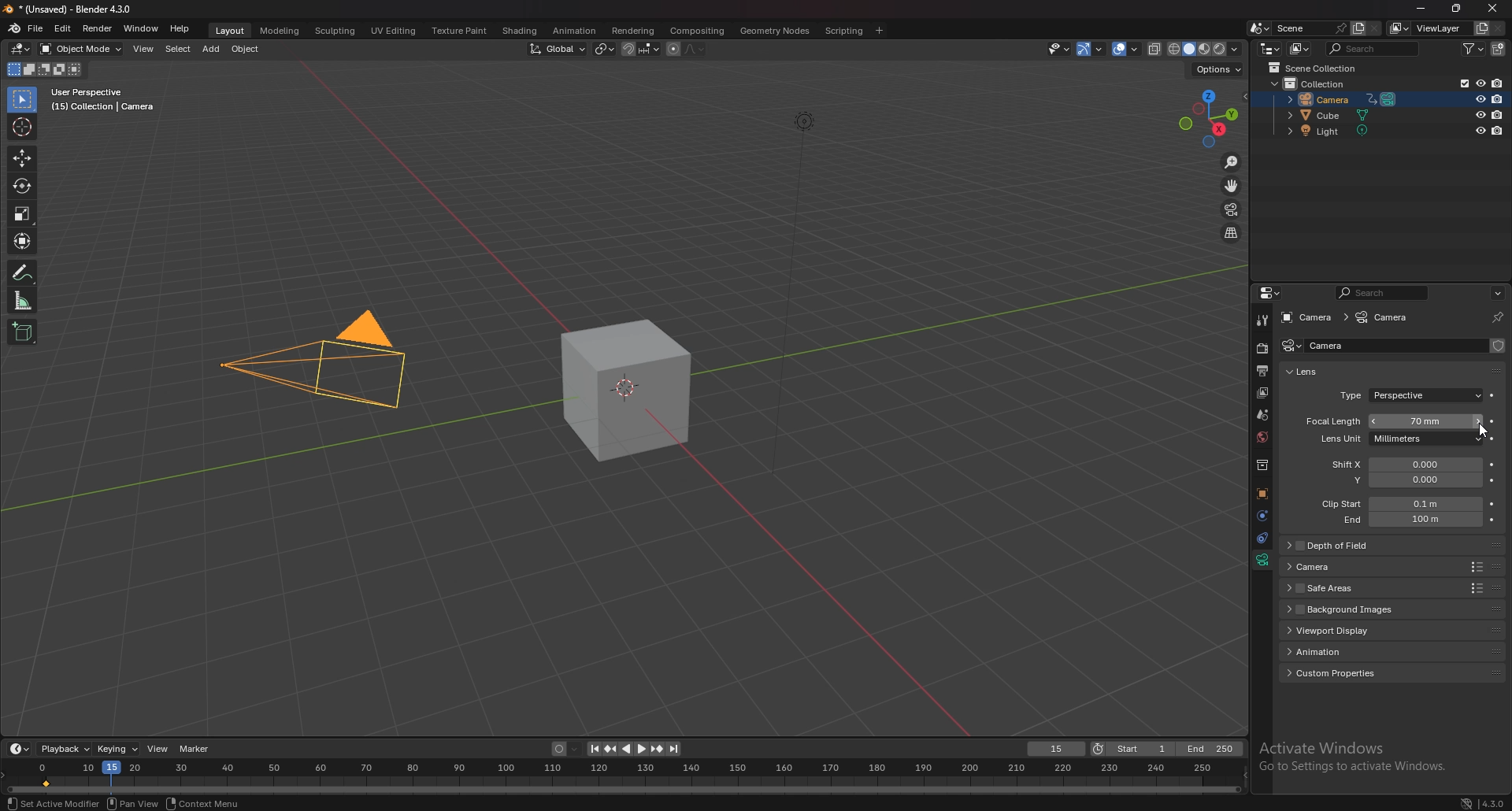  What do you see at coordinates (64, 749) in the screenshot?
I see `playback` at bounding box center [64, 749].